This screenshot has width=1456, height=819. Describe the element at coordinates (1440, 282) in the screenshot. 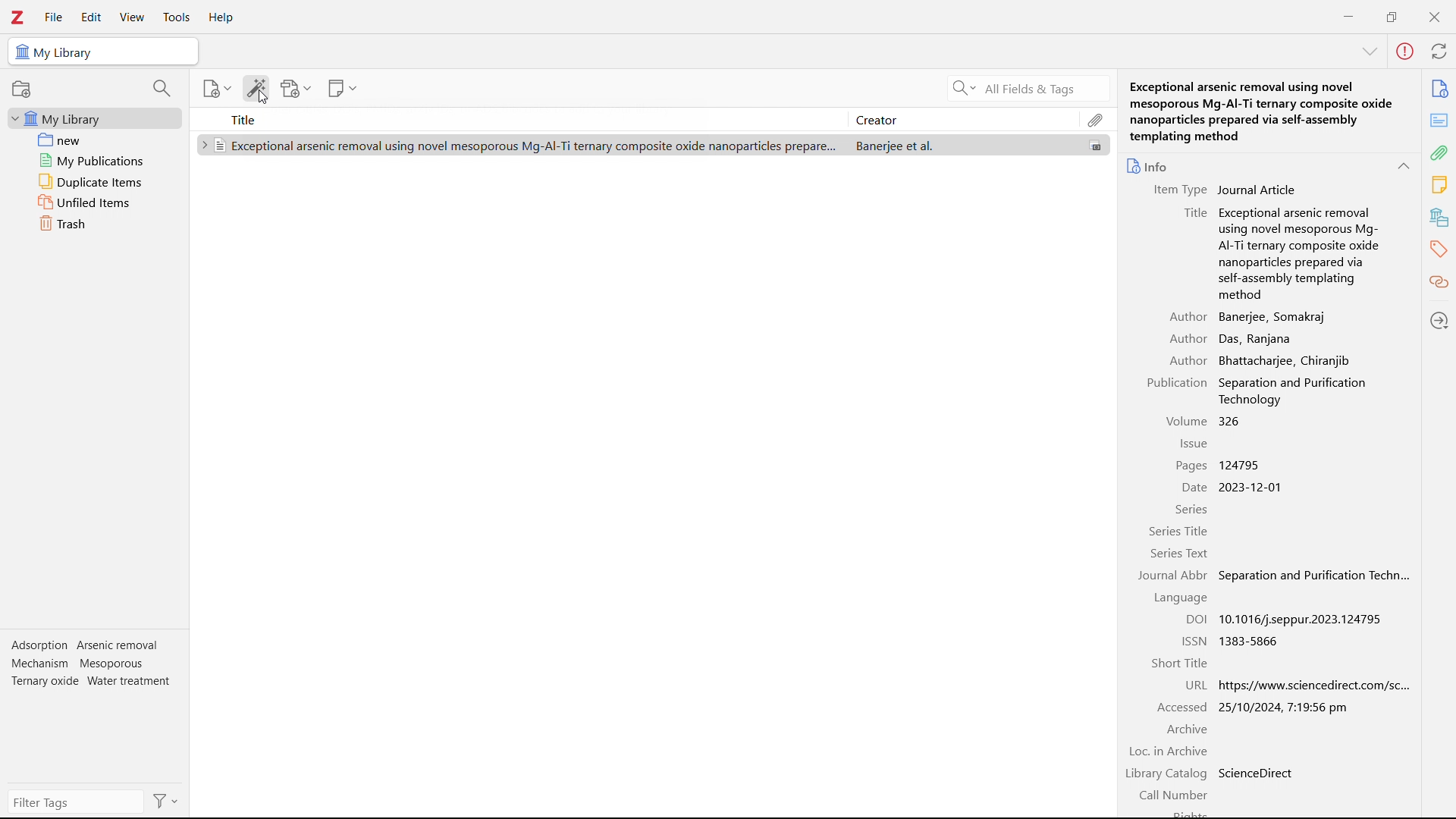

I see `related` at that location.